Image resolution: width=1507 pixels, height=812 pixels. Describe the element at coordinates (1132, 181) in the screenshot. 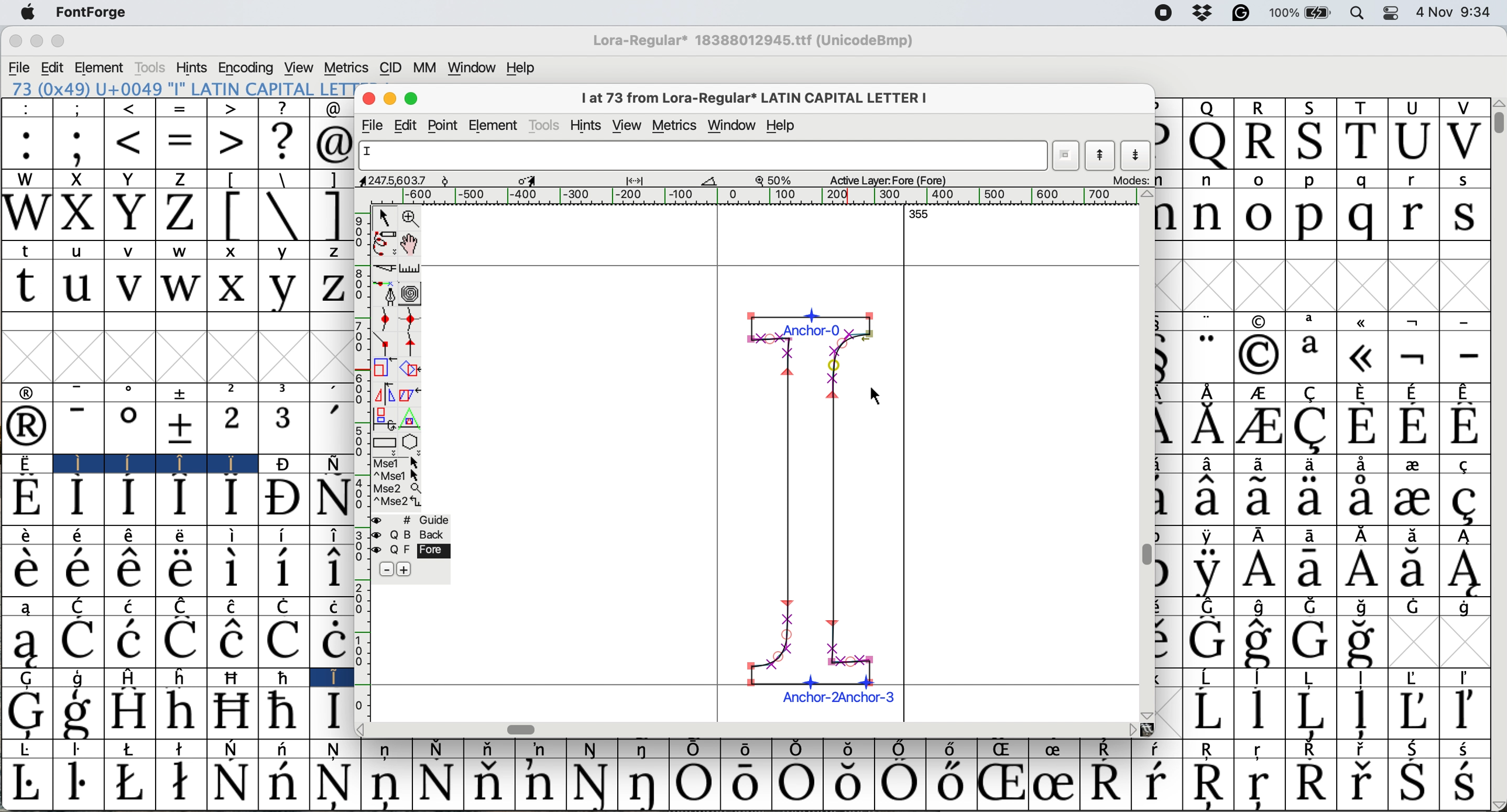

I see `modes` at that location.